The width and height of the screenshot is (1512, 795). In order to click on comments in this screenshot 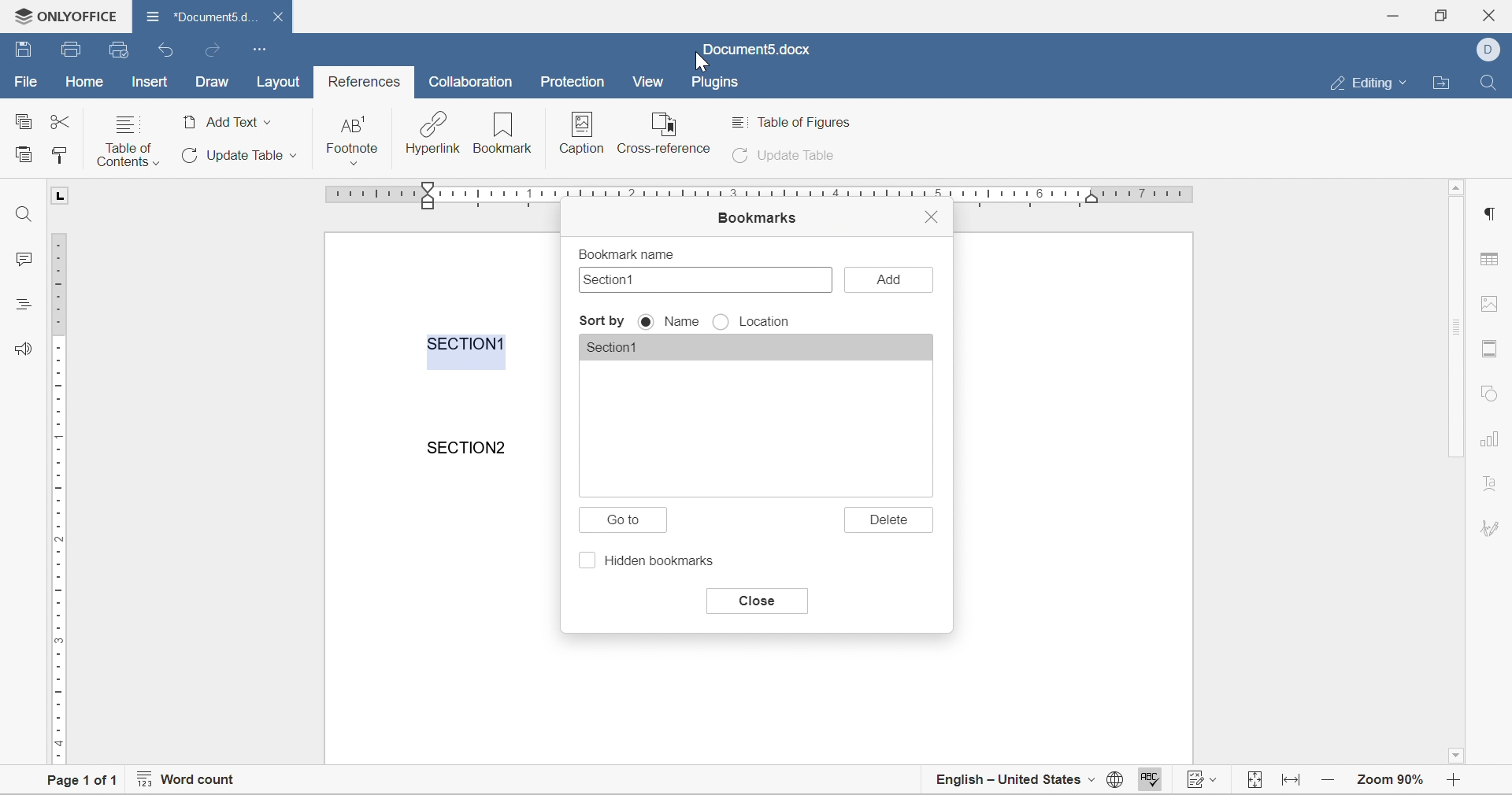, I will do `click(17, 258)`.